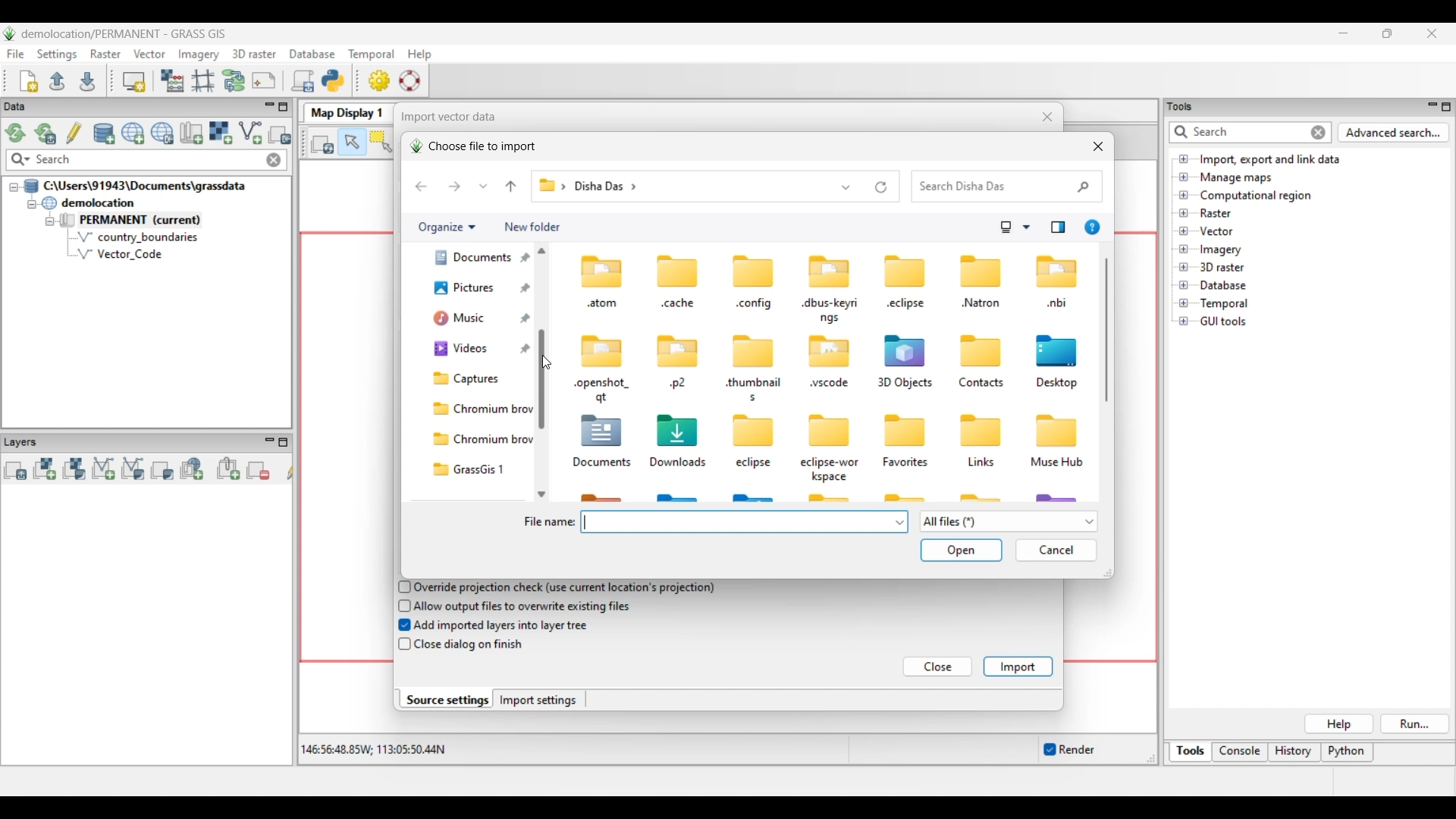 This screenshot has height=819, width=1456. I want to click on Type in file name, so click(737, 522).